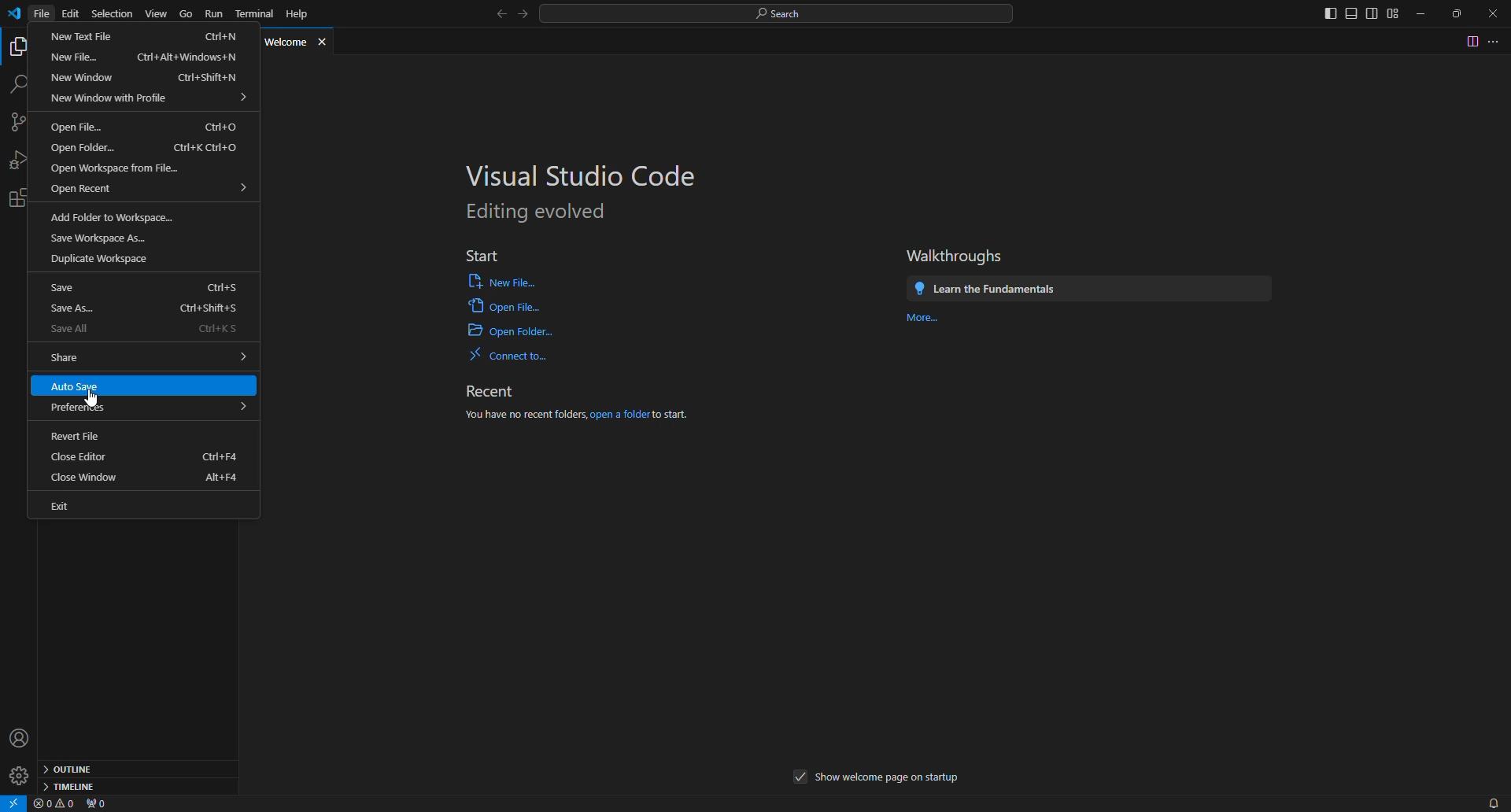  I want to click on open folder, so click(511, 331).